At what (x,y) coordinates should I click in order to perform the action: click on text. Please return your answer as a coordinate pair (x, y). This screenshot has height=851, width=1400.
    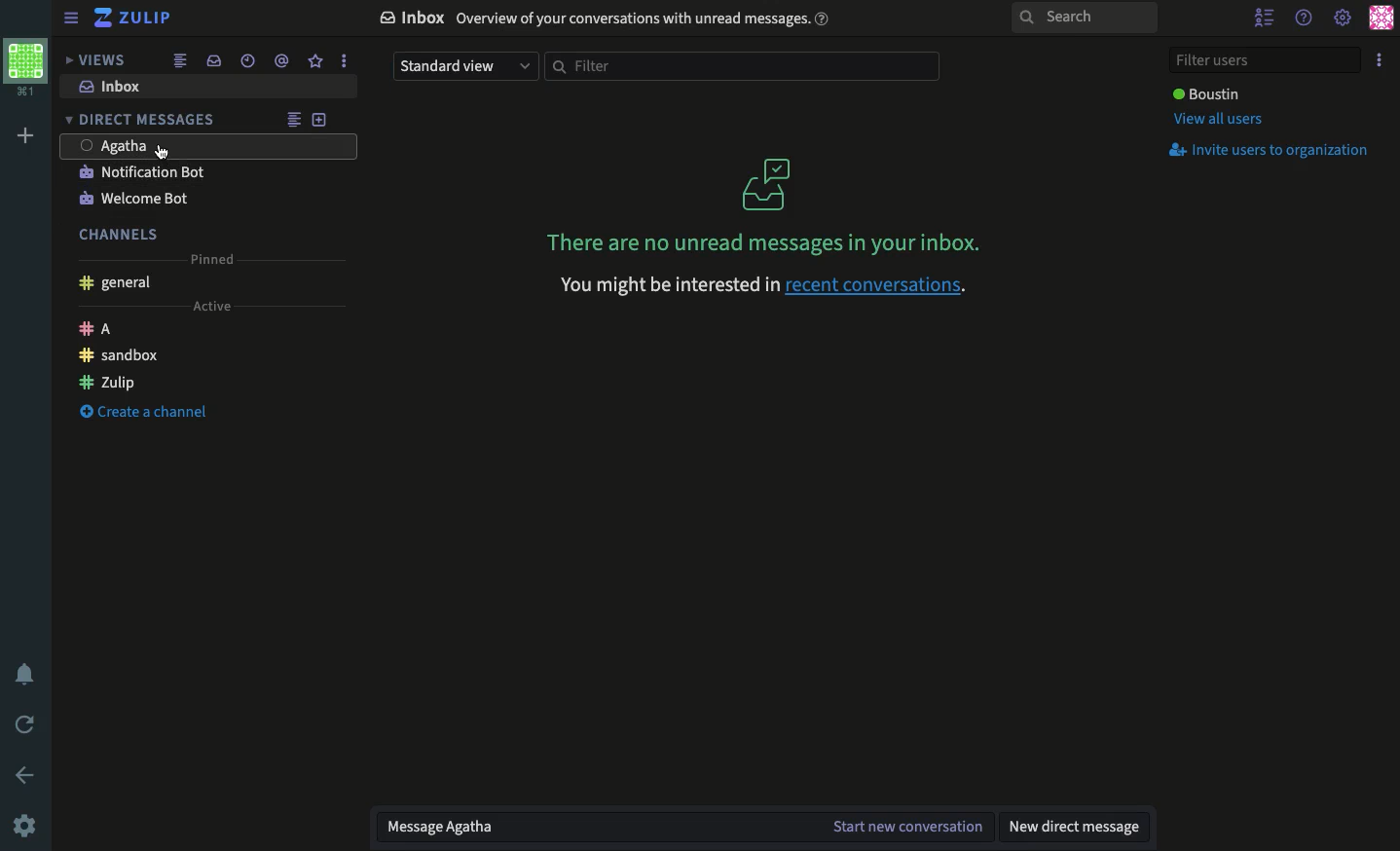
    Looking at the image, I should click on (664, 284).